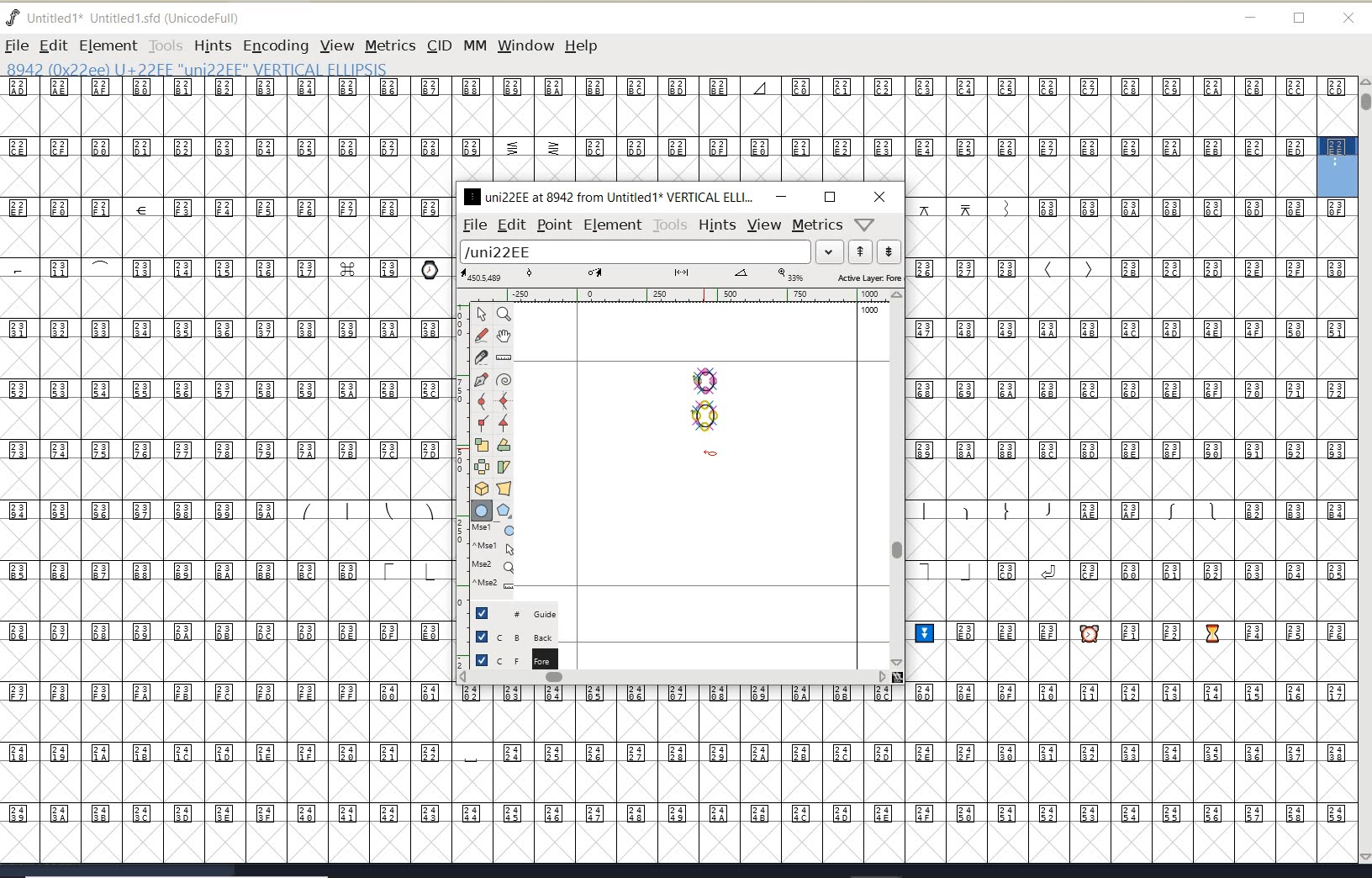 Image resolution: width=1372 pixels, height=878 pixels. I want to click on tools, so click(671, 225).